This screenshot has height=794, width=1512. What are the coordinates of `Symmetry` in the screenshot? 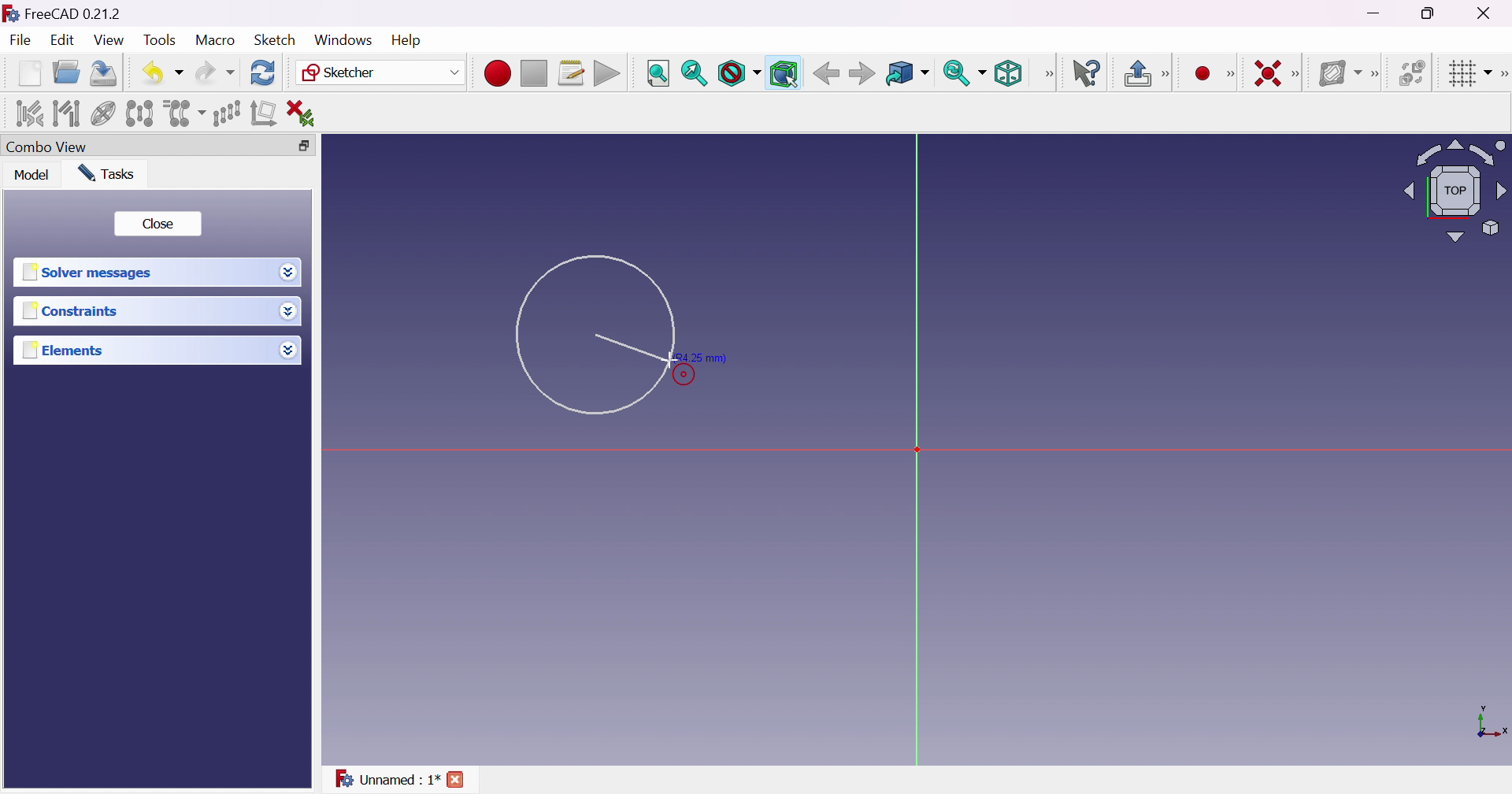 It's located at (139, 114).